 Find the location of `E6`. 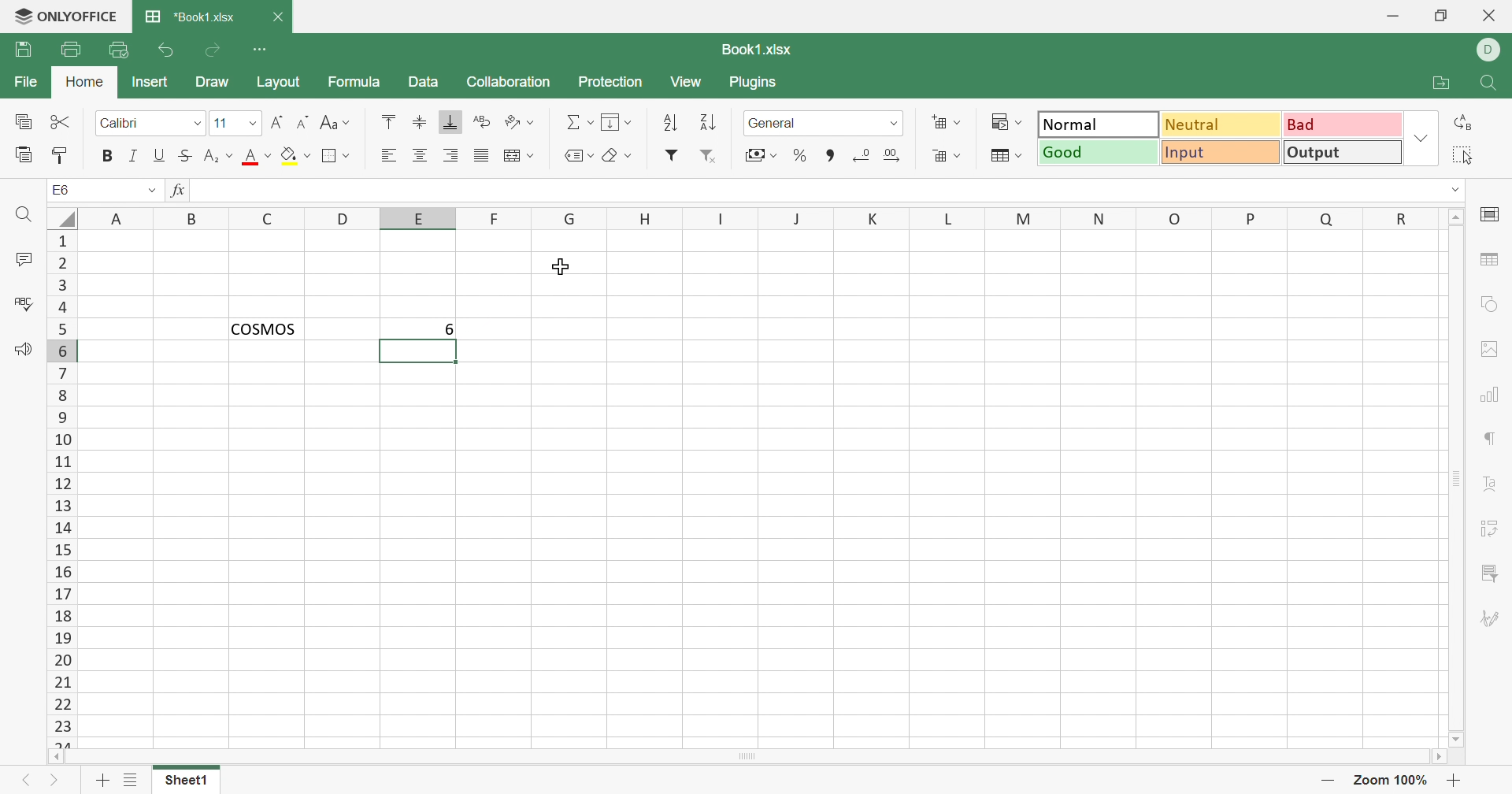

E6 is located at coordinates (61, 189).